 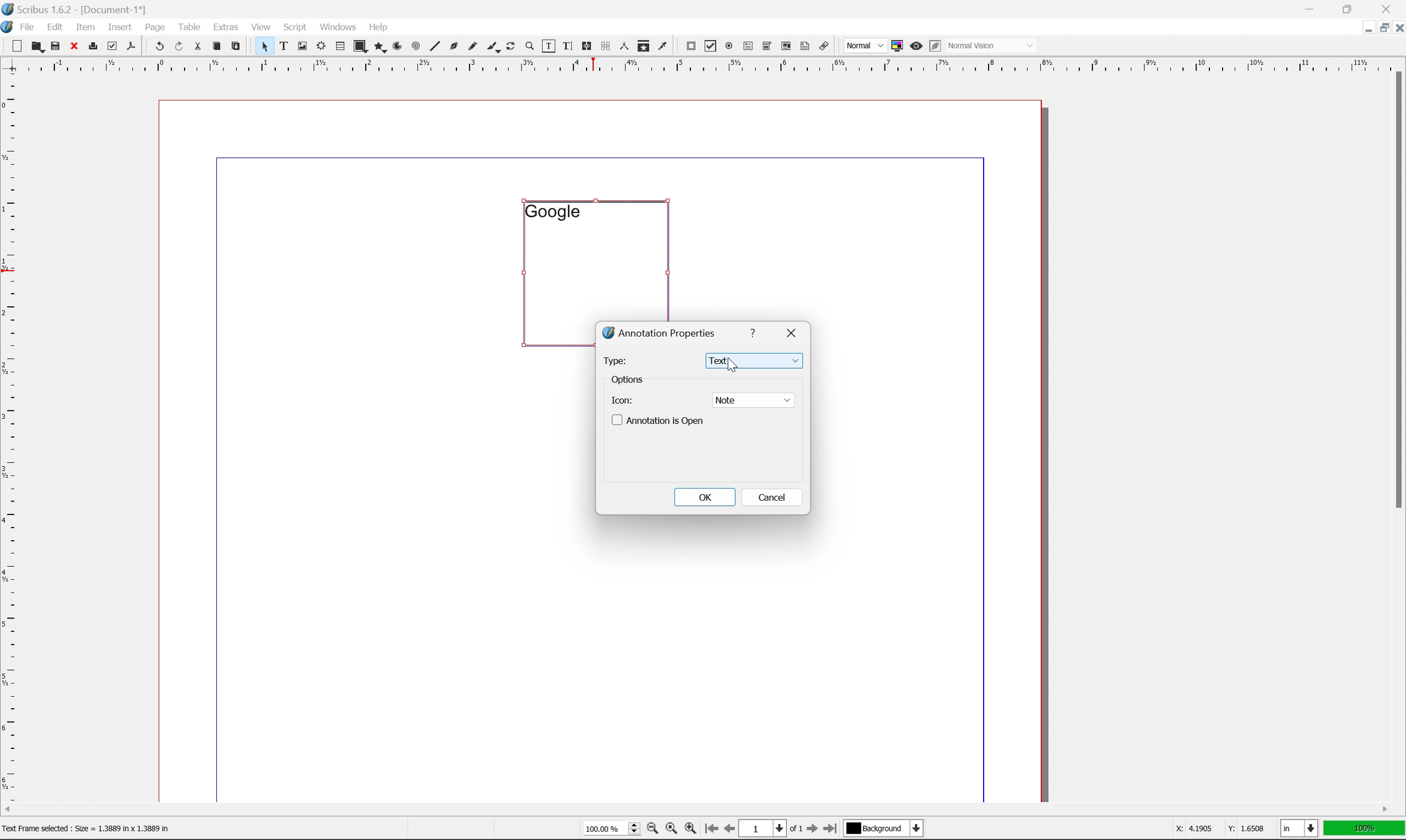 What do you see at coordinates (57, 27) in the screenshot?
I see `edit` at bounding box center [57, 27].